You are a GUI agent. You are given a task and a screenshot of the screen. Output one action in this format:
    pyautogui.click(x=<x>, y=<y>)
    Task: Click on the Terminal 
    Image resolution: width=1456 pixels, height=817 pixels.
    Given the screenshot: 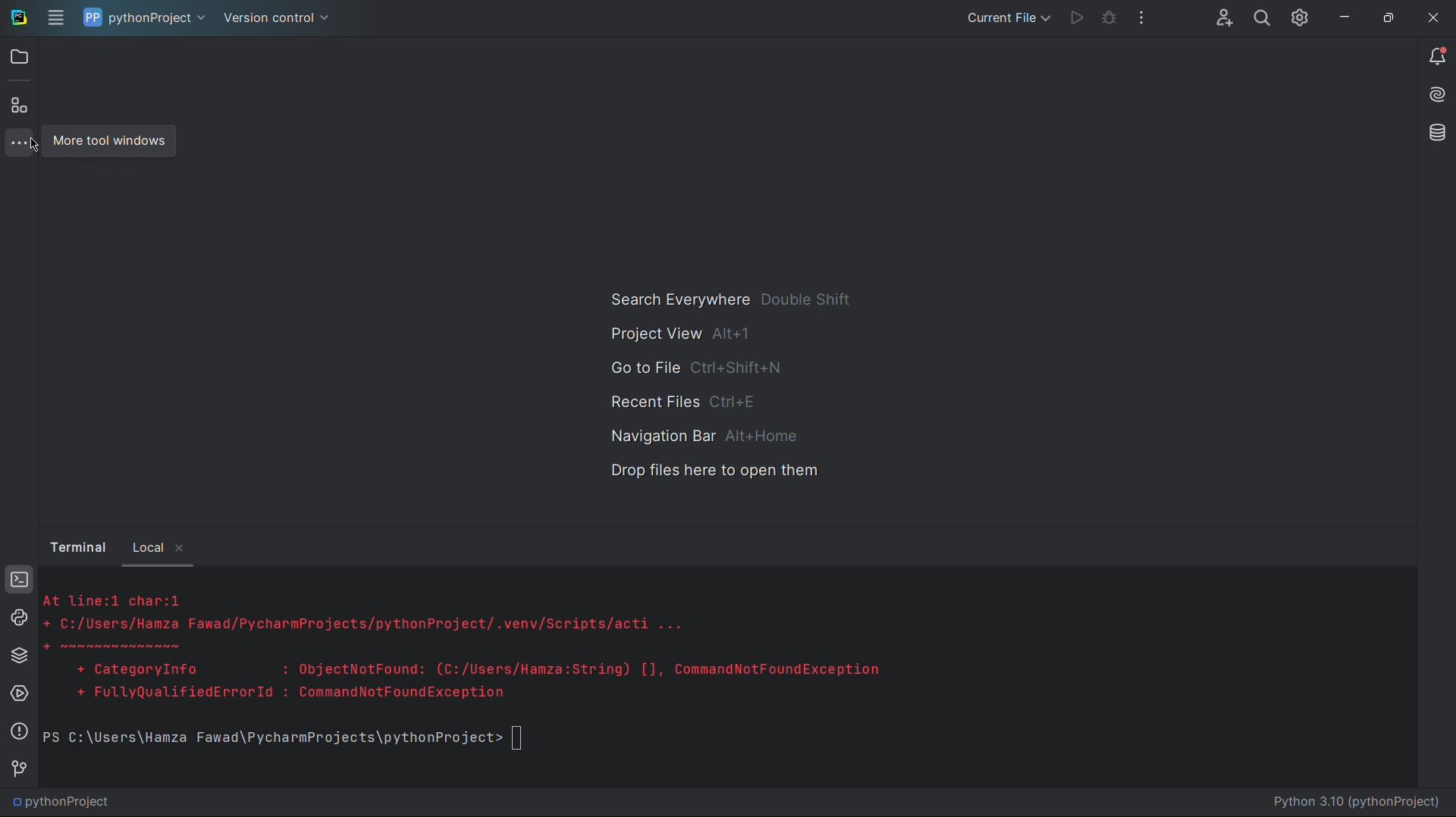 What is the action you would take?
    pyautogui.click(x=75, y=547)
    